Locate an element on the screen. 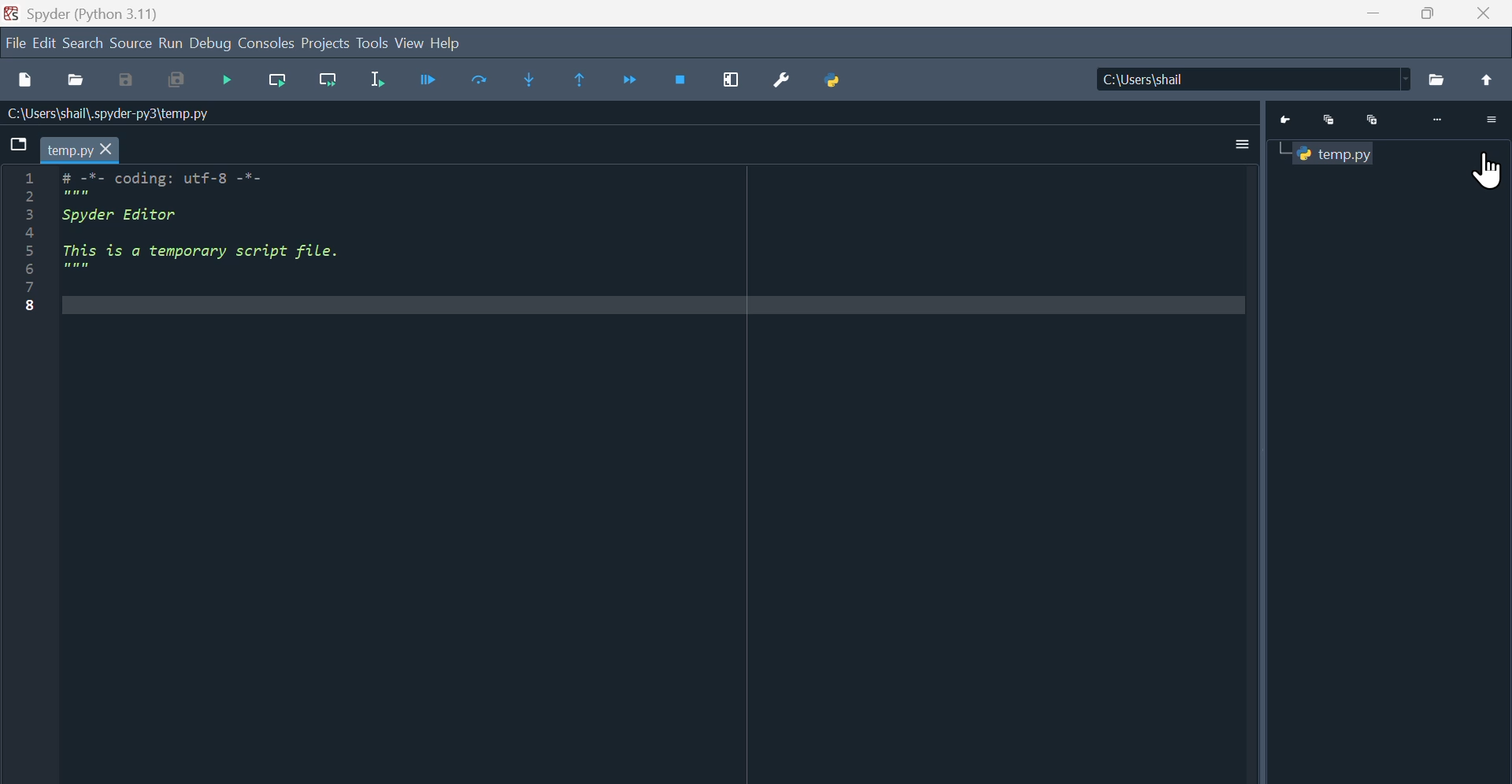  run is located at coordinates (172, 43).